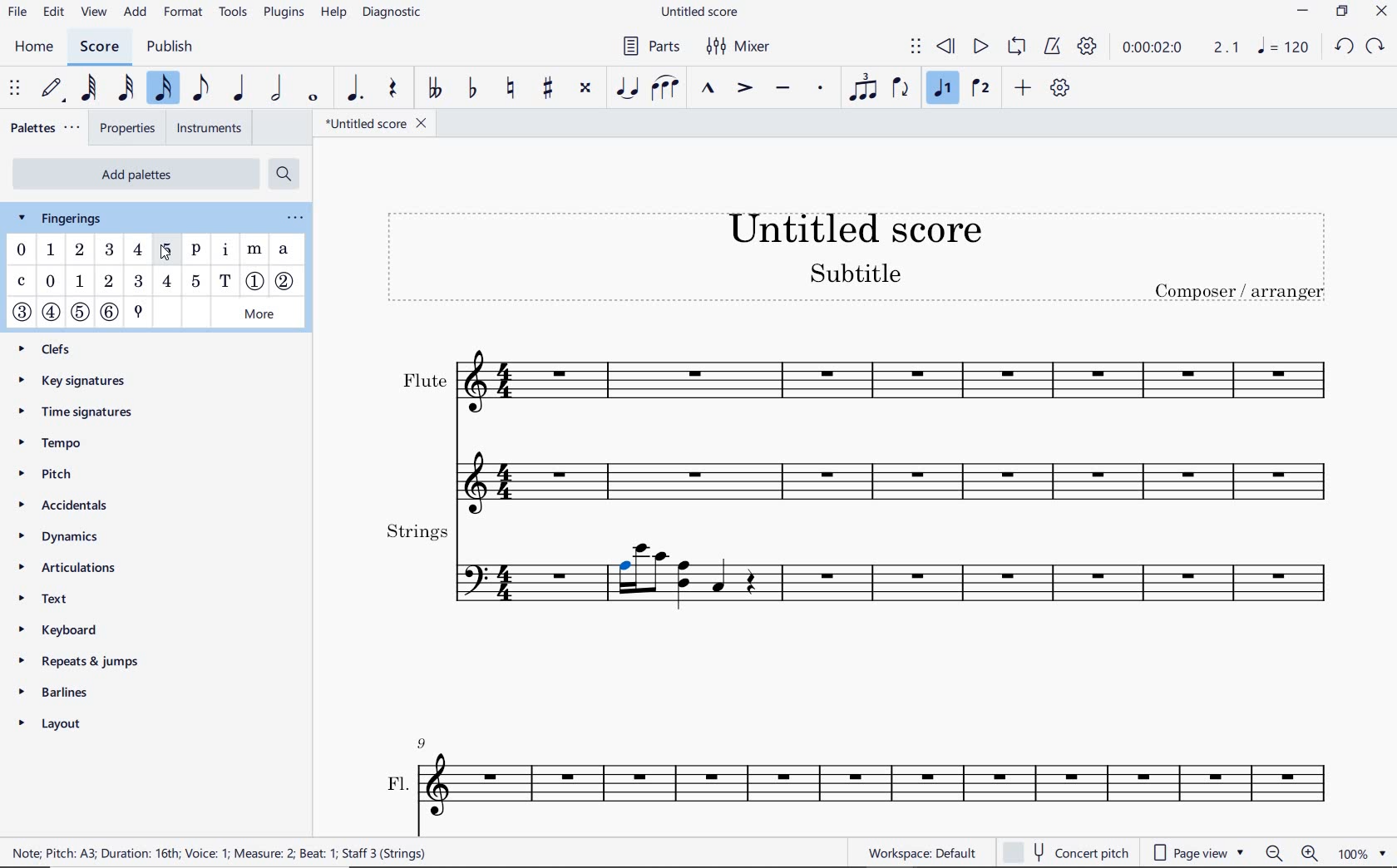 This screenshot has width=1397, height=868. Describe the element at coordinates (51, 314) in the screenshot. I see `STRING NUMBER 4` at that location.